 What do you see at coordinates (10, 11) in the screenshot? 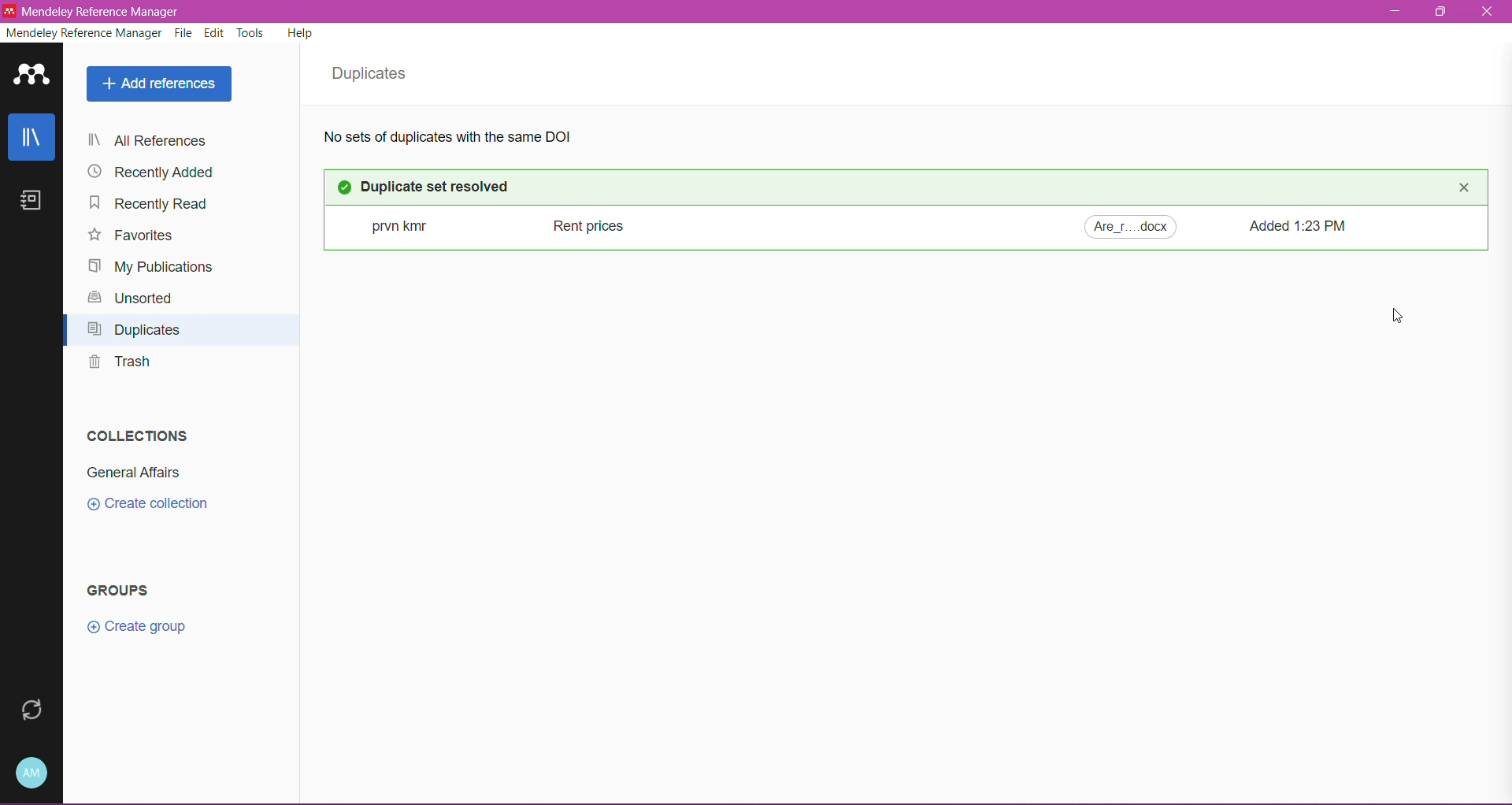
I see `icon` at bounding box center [10, 11].